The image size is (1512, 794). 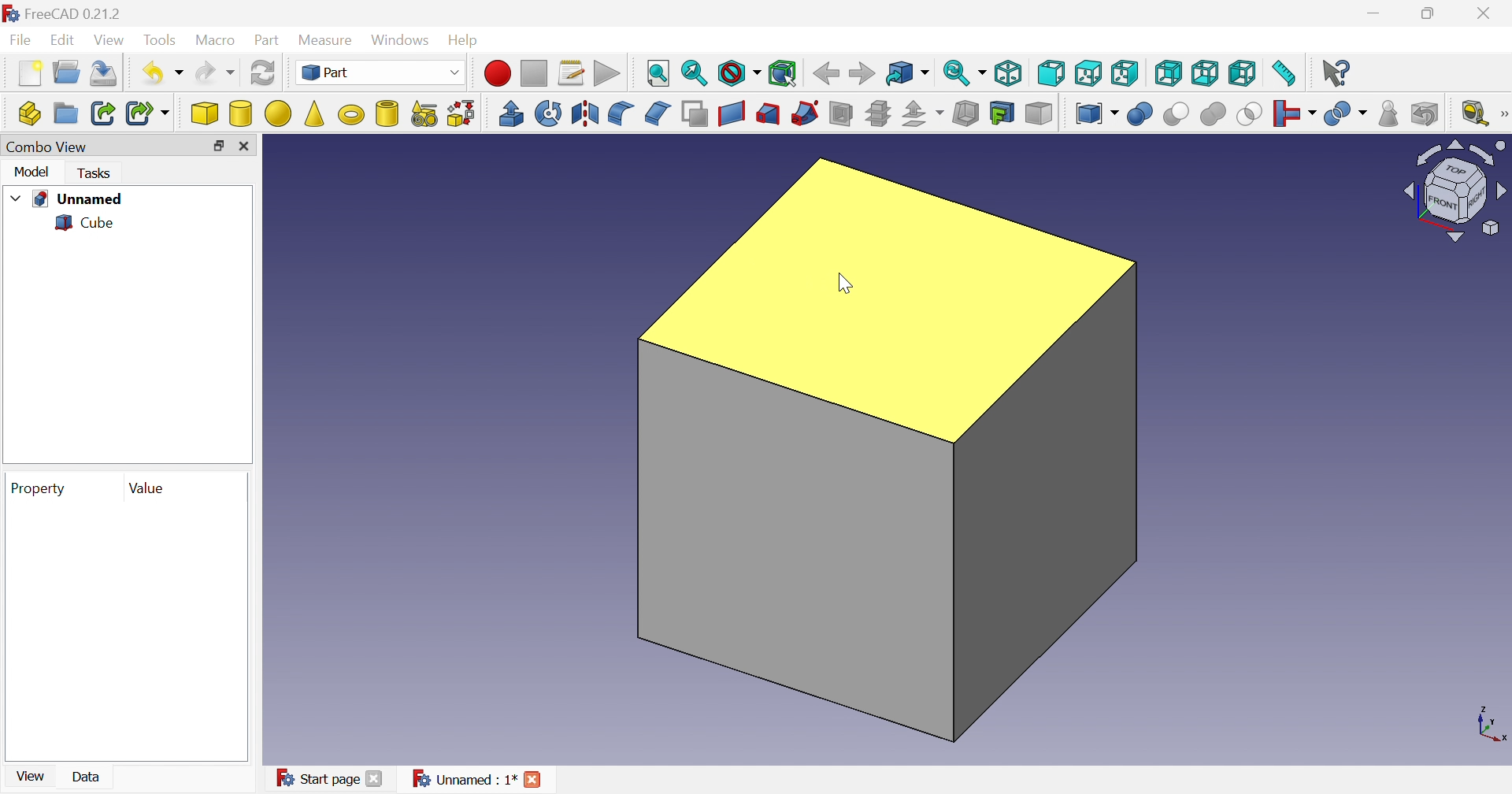 I want to click on Make link, so click(x=100, y=113).